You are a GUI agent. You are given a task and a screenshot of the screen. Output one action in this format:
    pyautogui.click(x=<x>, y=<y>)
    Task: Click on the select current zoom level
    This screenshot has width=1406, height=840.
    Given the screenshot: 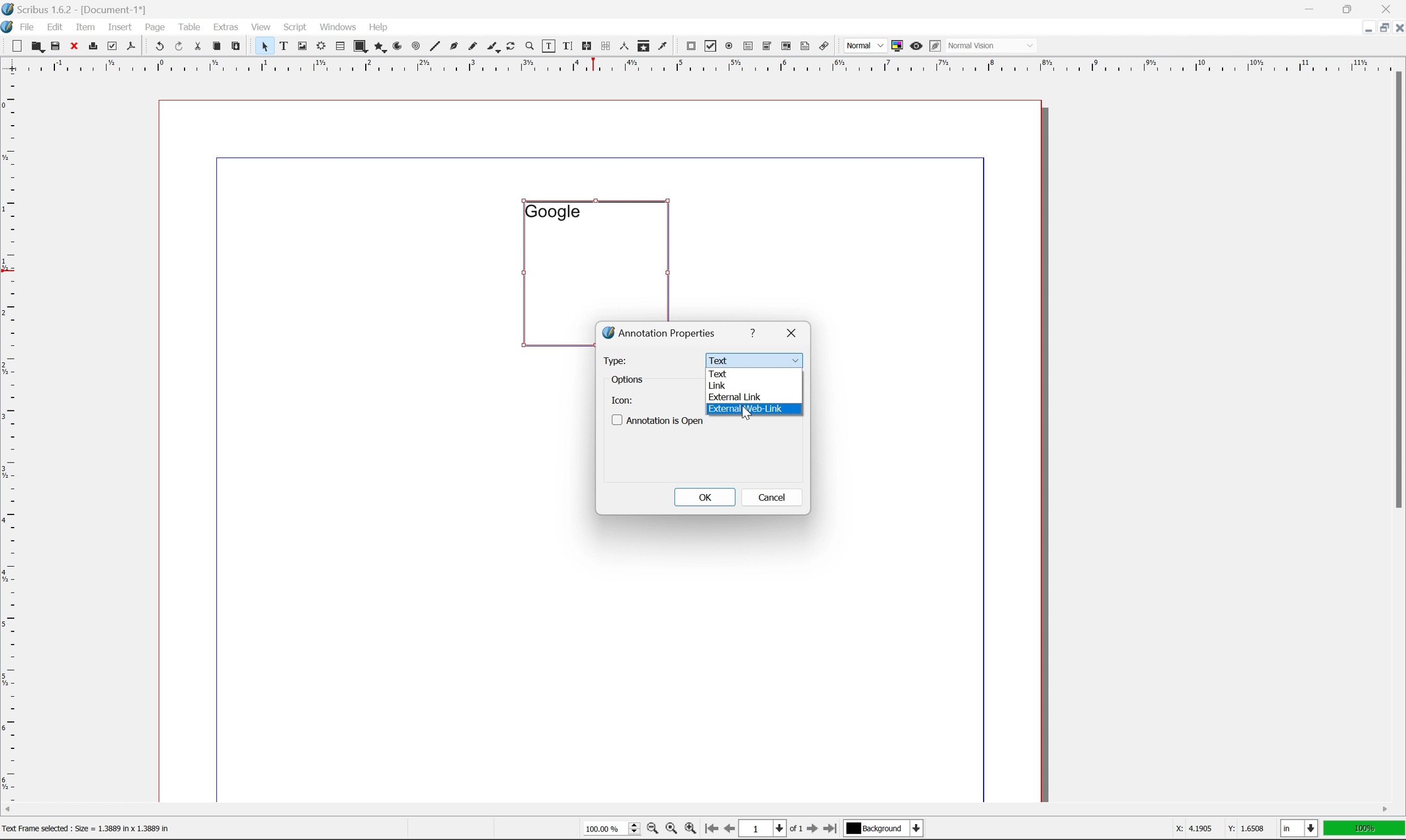 What is the action you would take?
    pyautogui.click(x=612, y=828)
    